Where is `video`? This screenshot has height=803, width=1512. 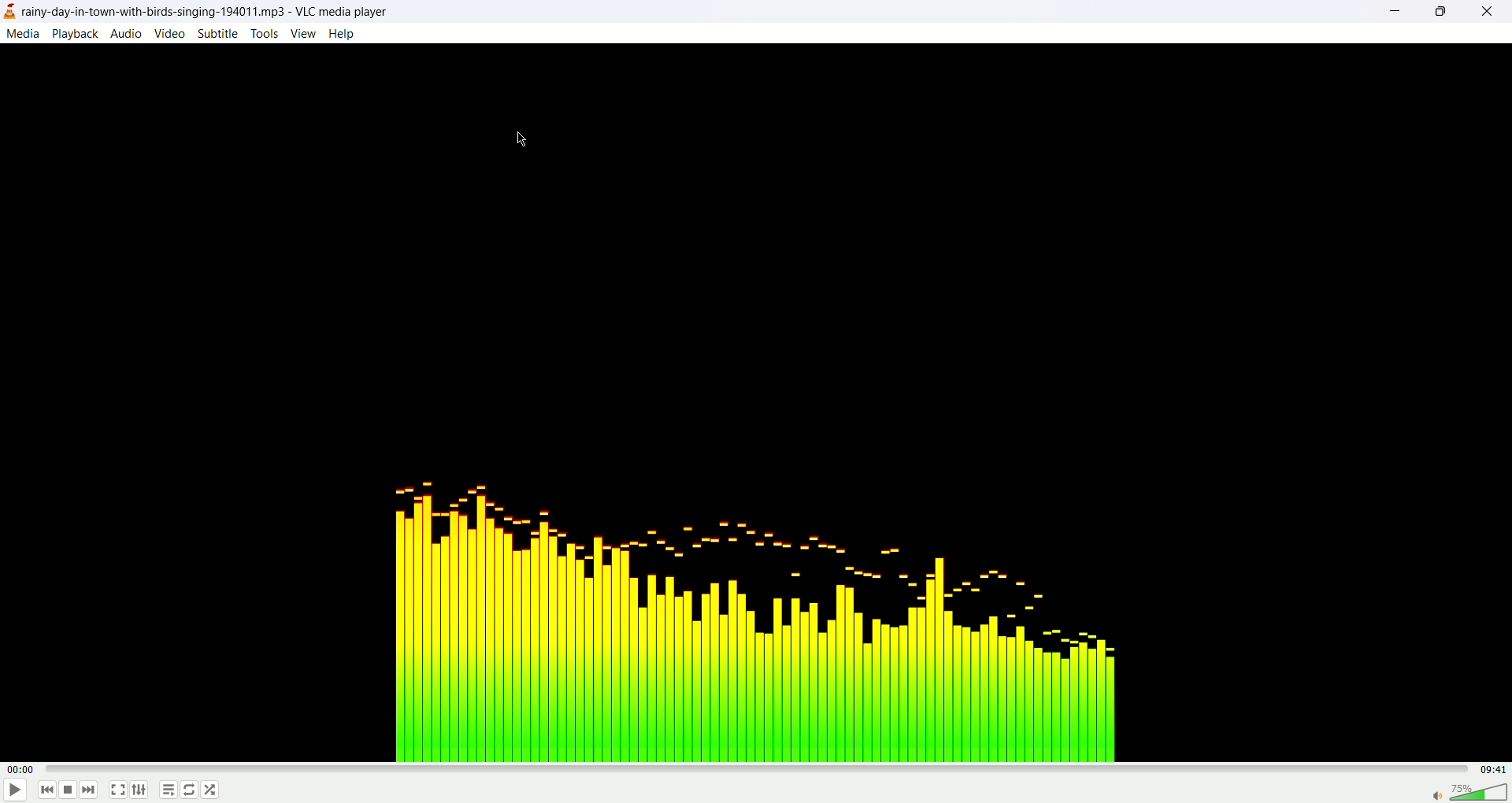
video is located at coordinates (170, 32).